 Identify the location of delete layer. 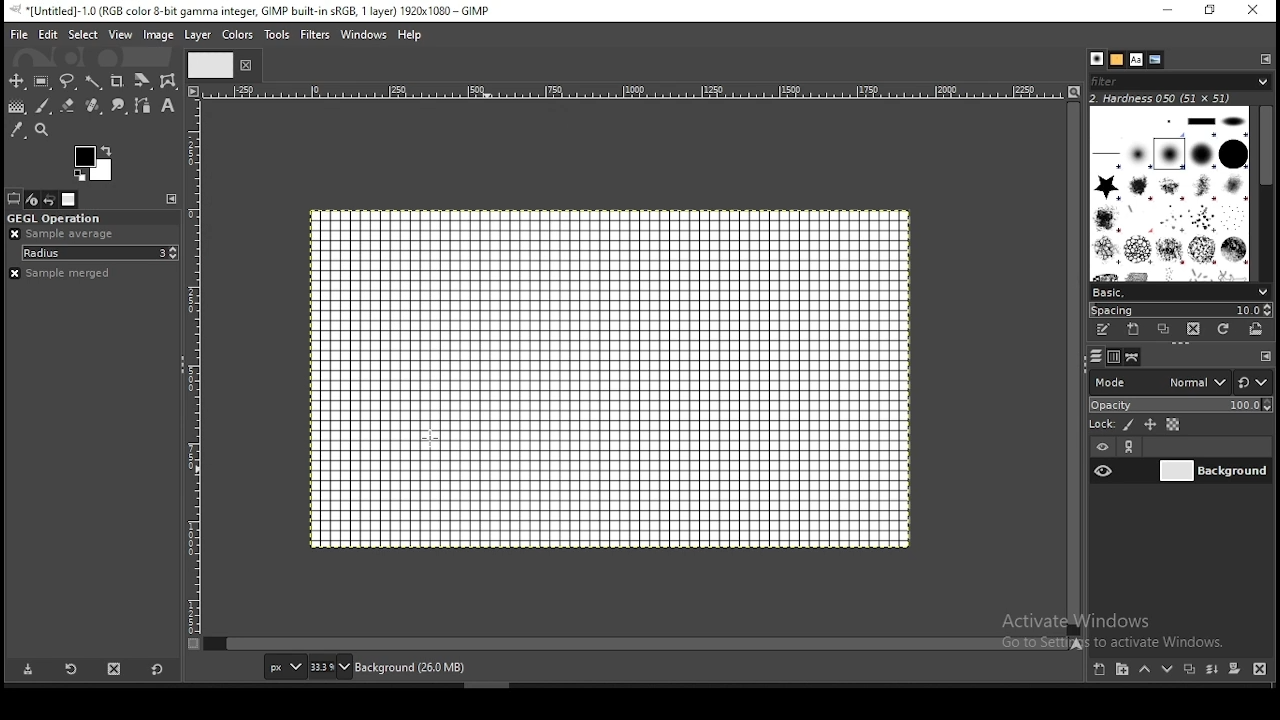
(1258, 670).